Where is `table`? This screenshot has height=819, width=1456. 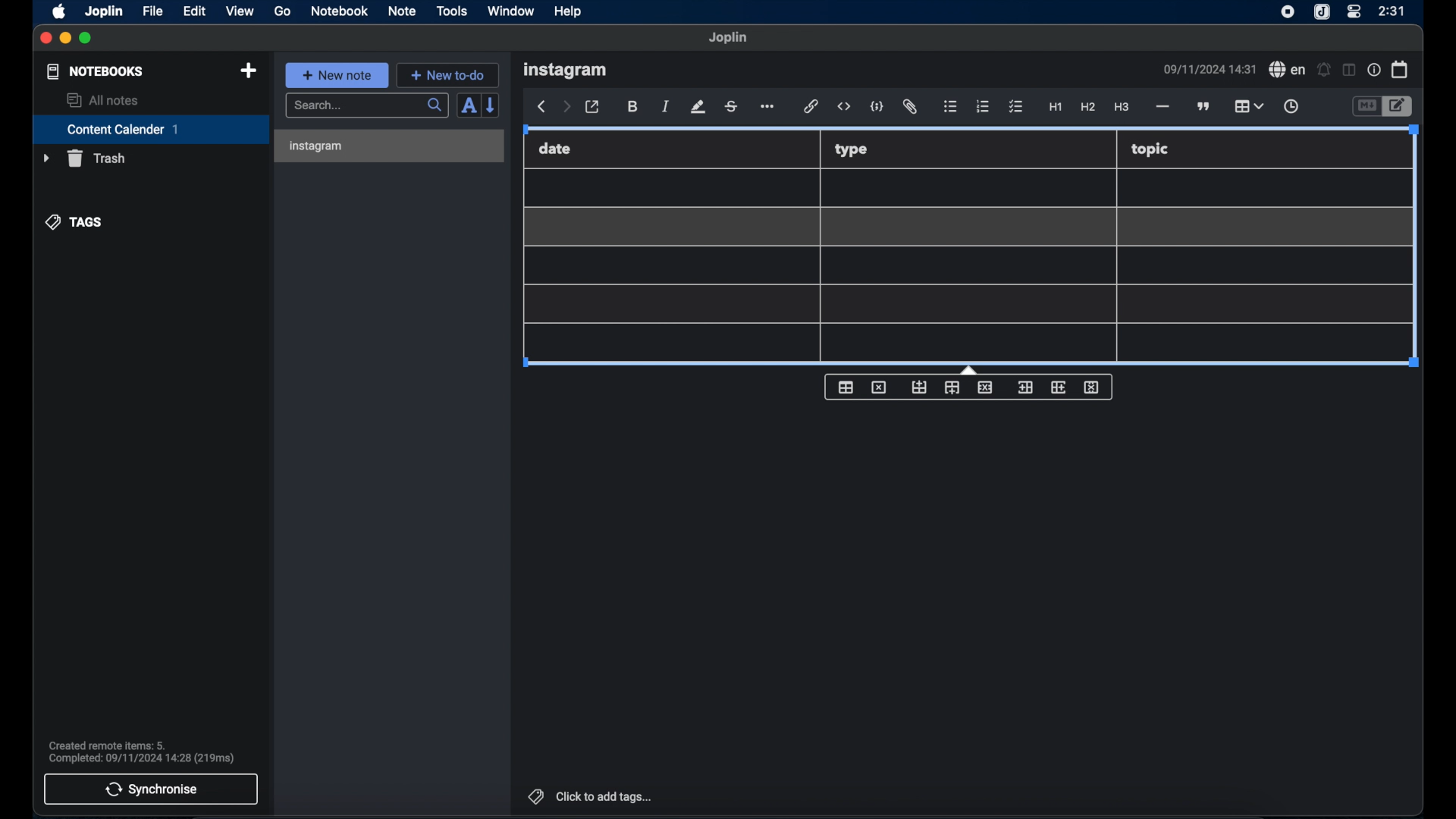
table is located at coordinates (962, 265).